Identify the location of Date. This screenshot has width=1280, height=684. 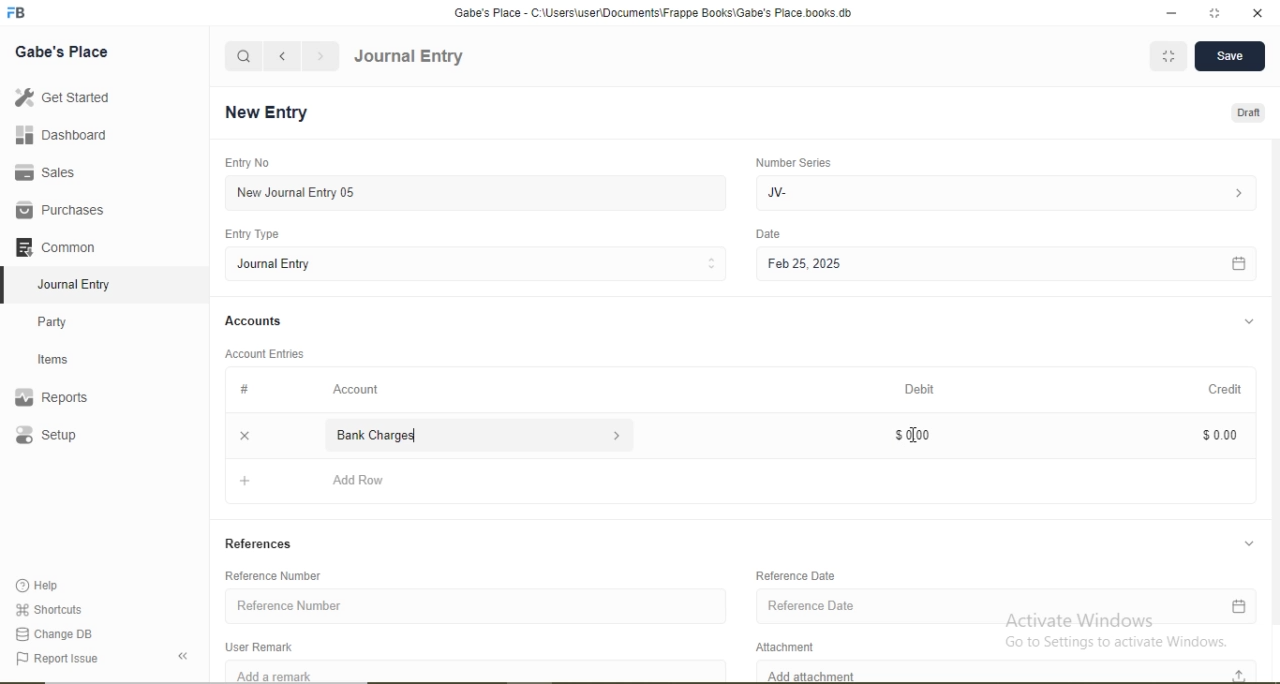
(769, 234).